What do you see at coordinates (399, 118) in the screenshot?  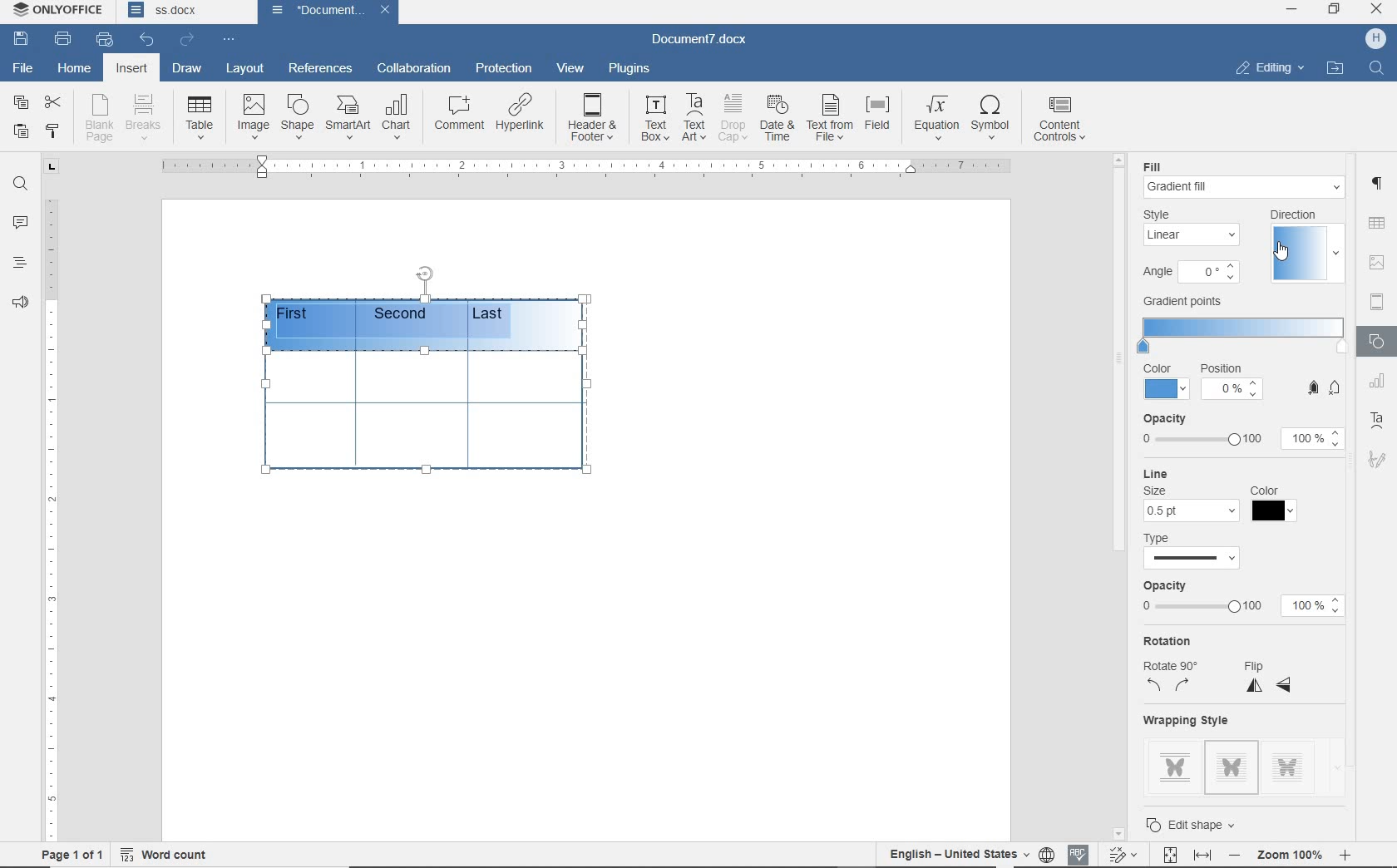 I see `chart` at bounding box center [399, 118].